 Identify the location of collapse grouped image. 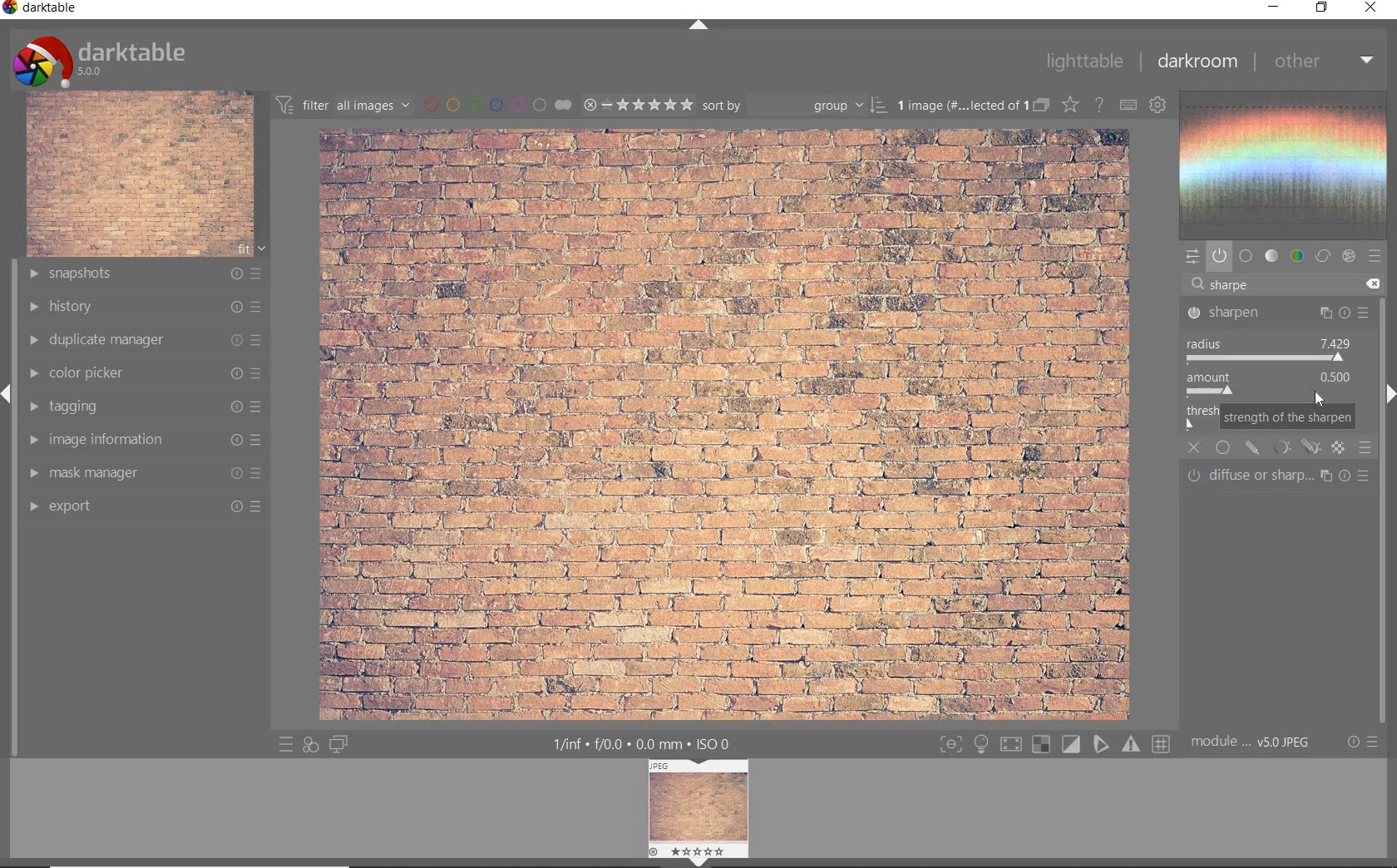
(1040, 106).